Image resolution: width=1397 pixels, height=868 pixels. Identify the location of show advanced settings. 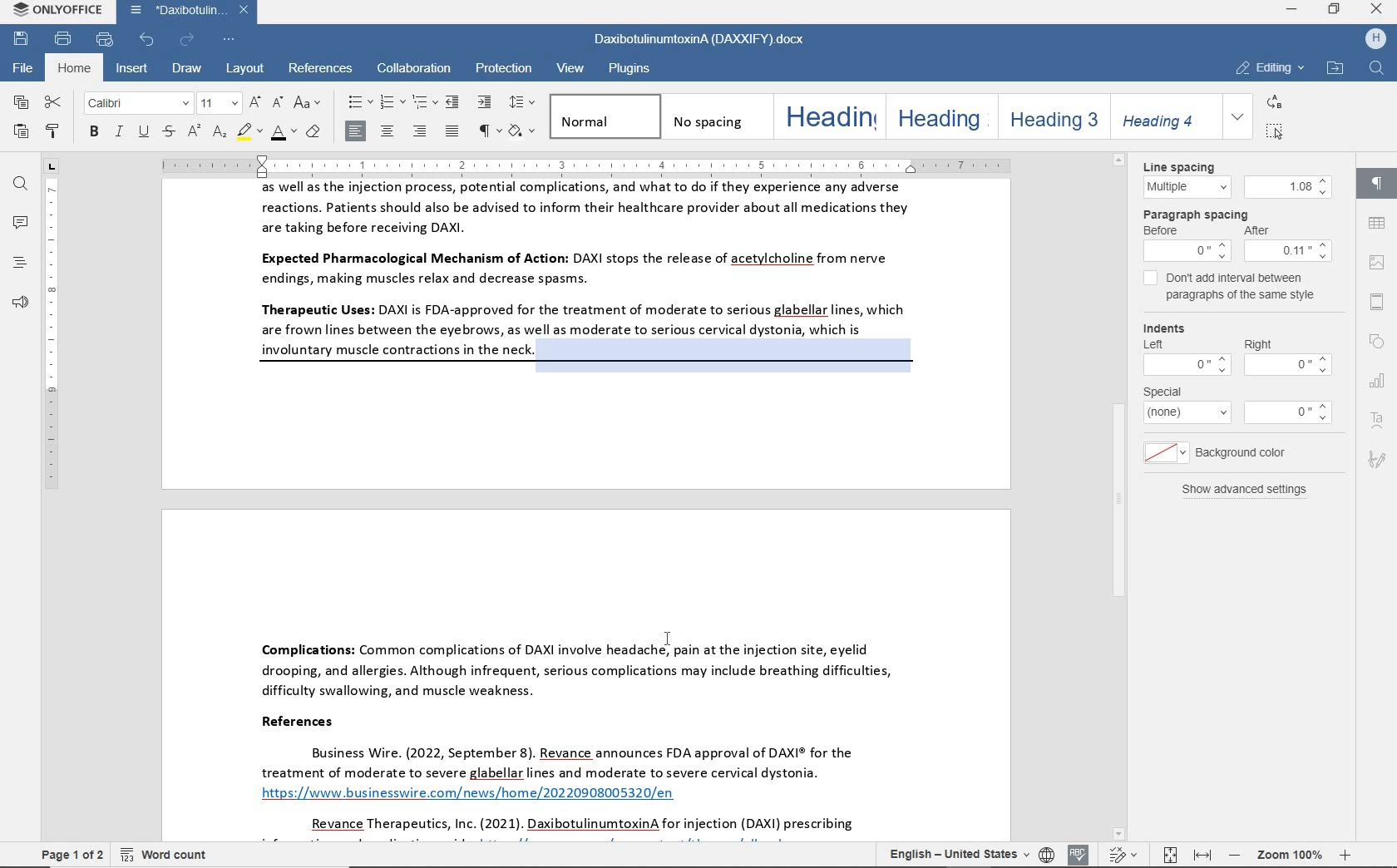
(1237, 490).